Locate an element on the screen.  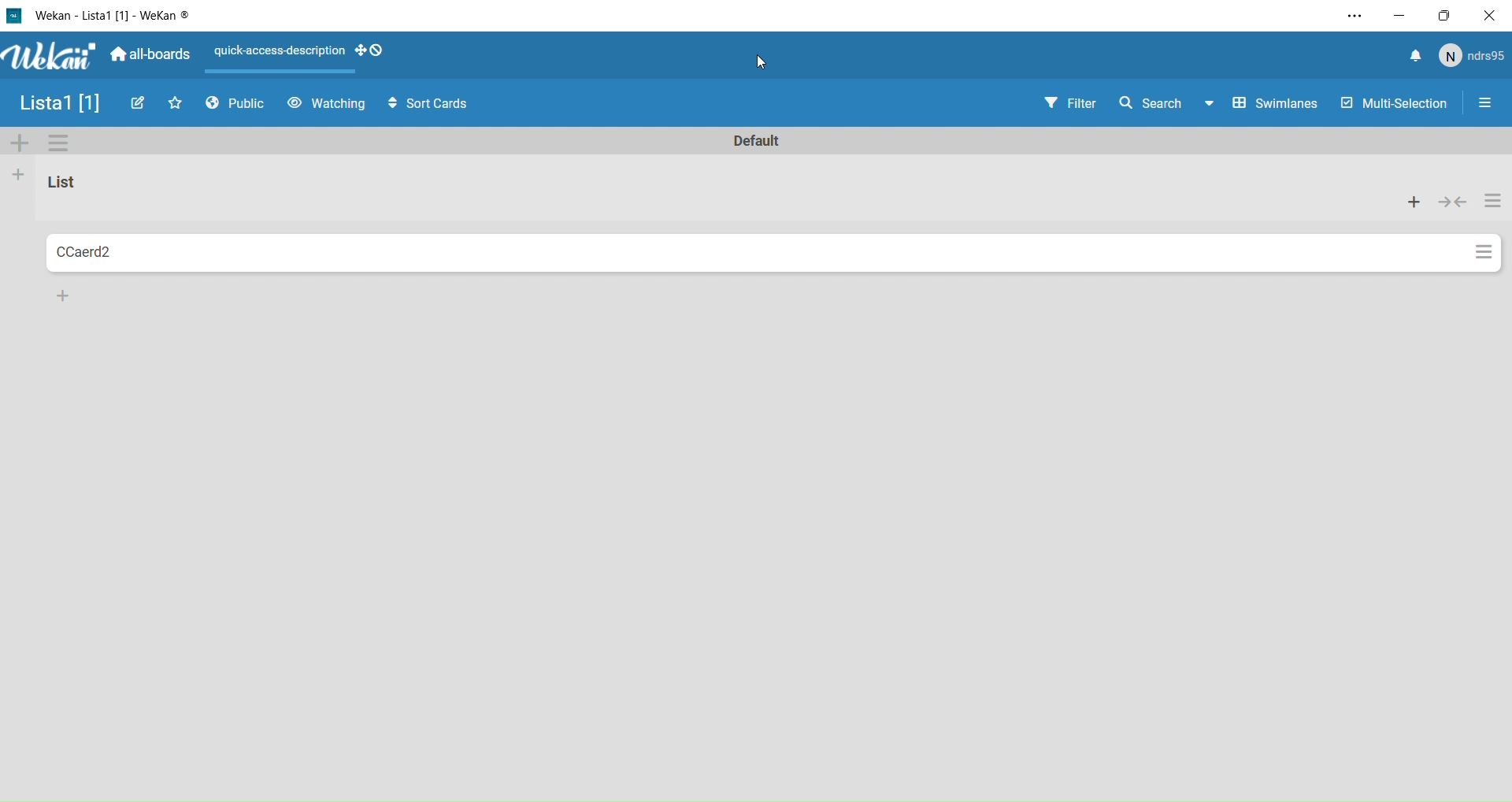
Close is located at coordinates (1488, 17).